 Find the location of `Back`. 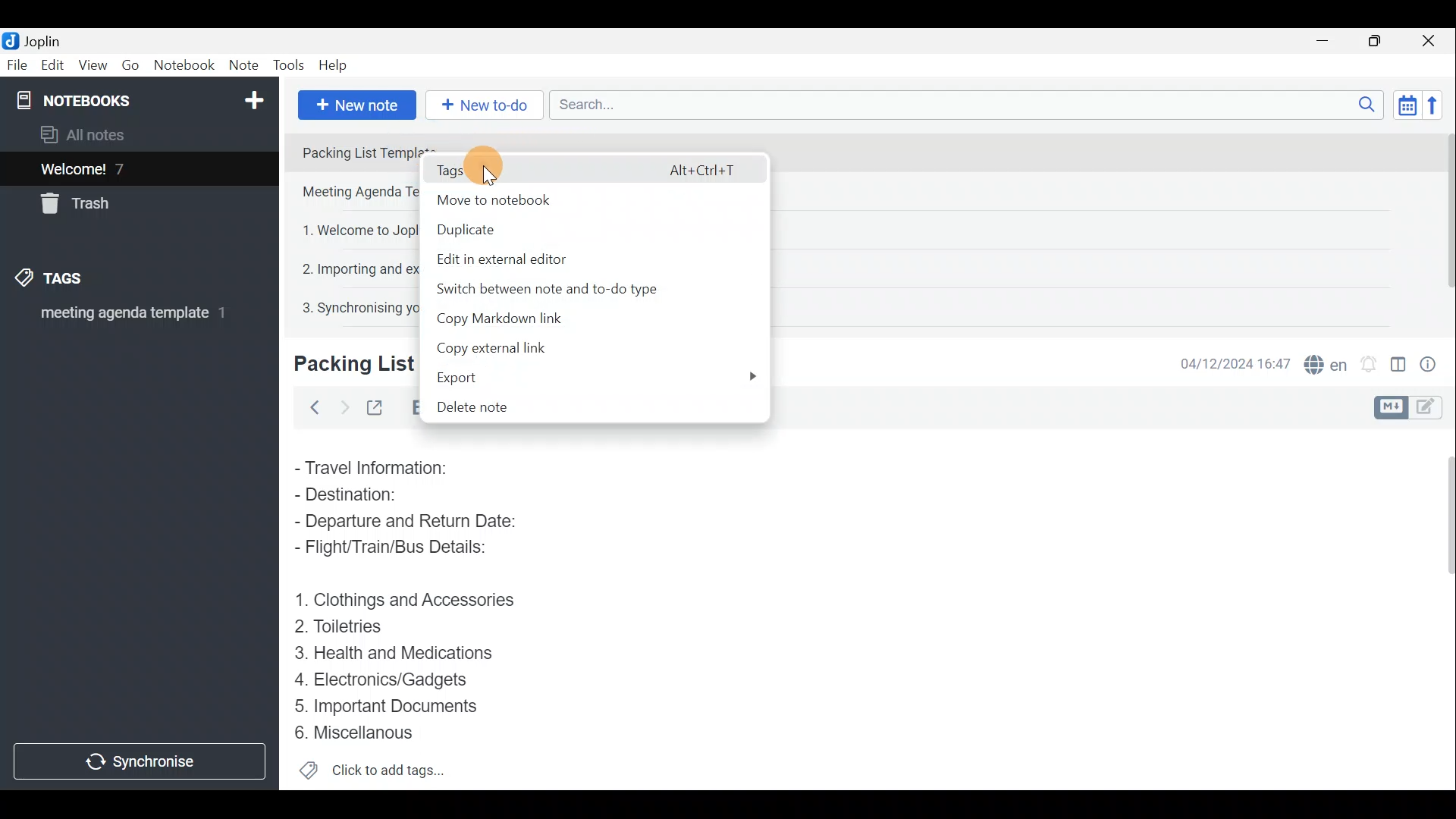

Back is located at coordinates (312, 407).